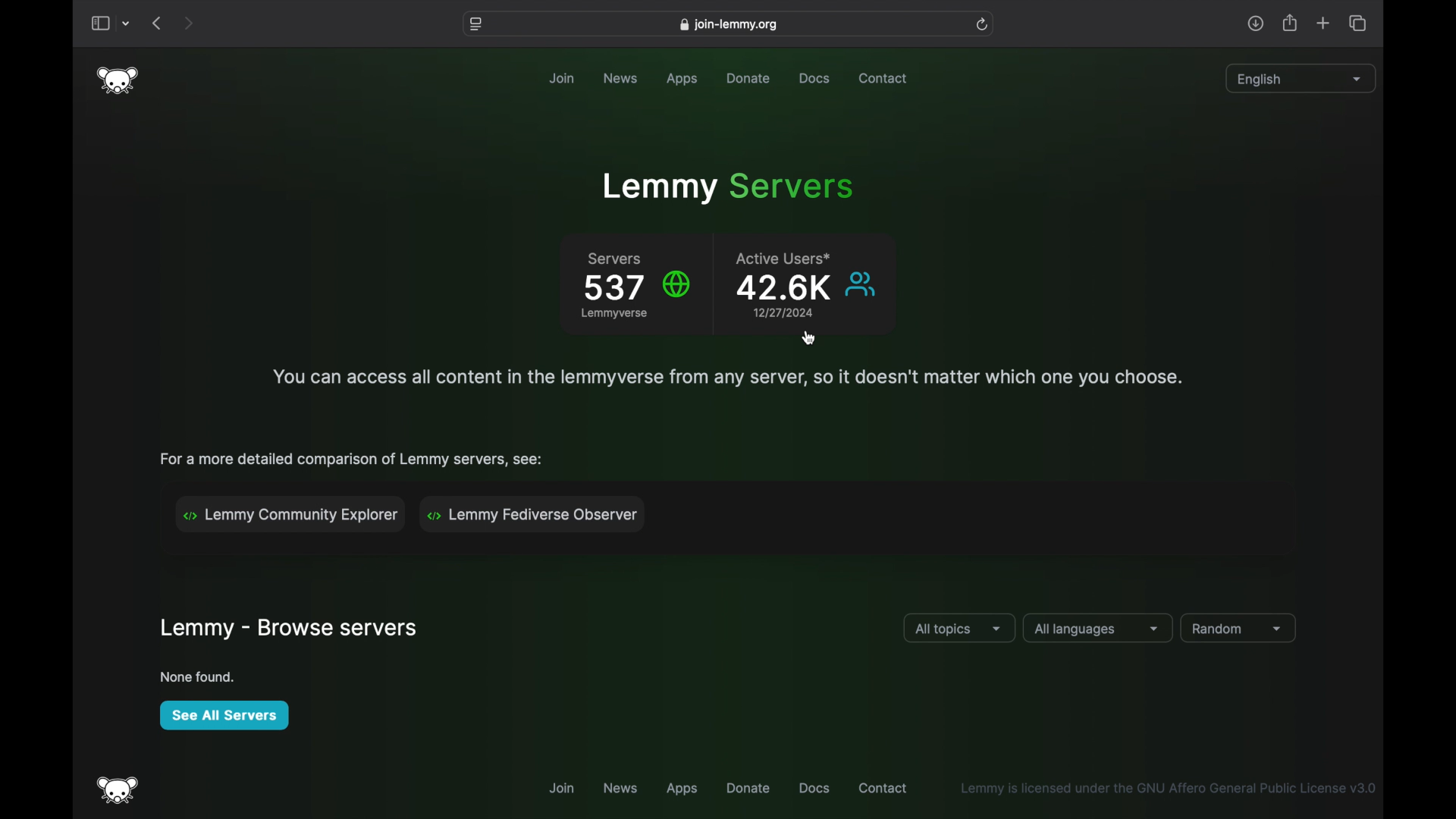 This screenshot has height=819, width=1456. Describe the element at coordinates (1098, 629) in the screenshot. I see `all languages` at that location.